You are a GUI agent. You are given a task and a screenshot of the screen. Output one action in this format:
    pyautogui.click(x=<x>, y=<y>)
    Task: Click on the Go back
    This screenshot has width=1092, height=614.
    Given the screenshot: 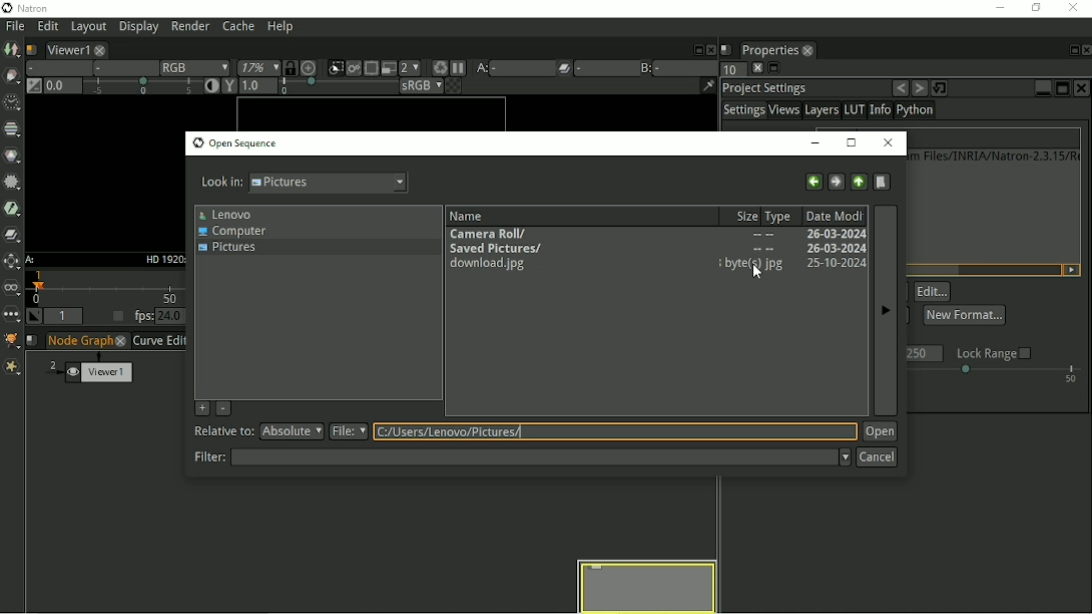 What is the action you would take?
    pyautogui.click(x=813, y=180)
    